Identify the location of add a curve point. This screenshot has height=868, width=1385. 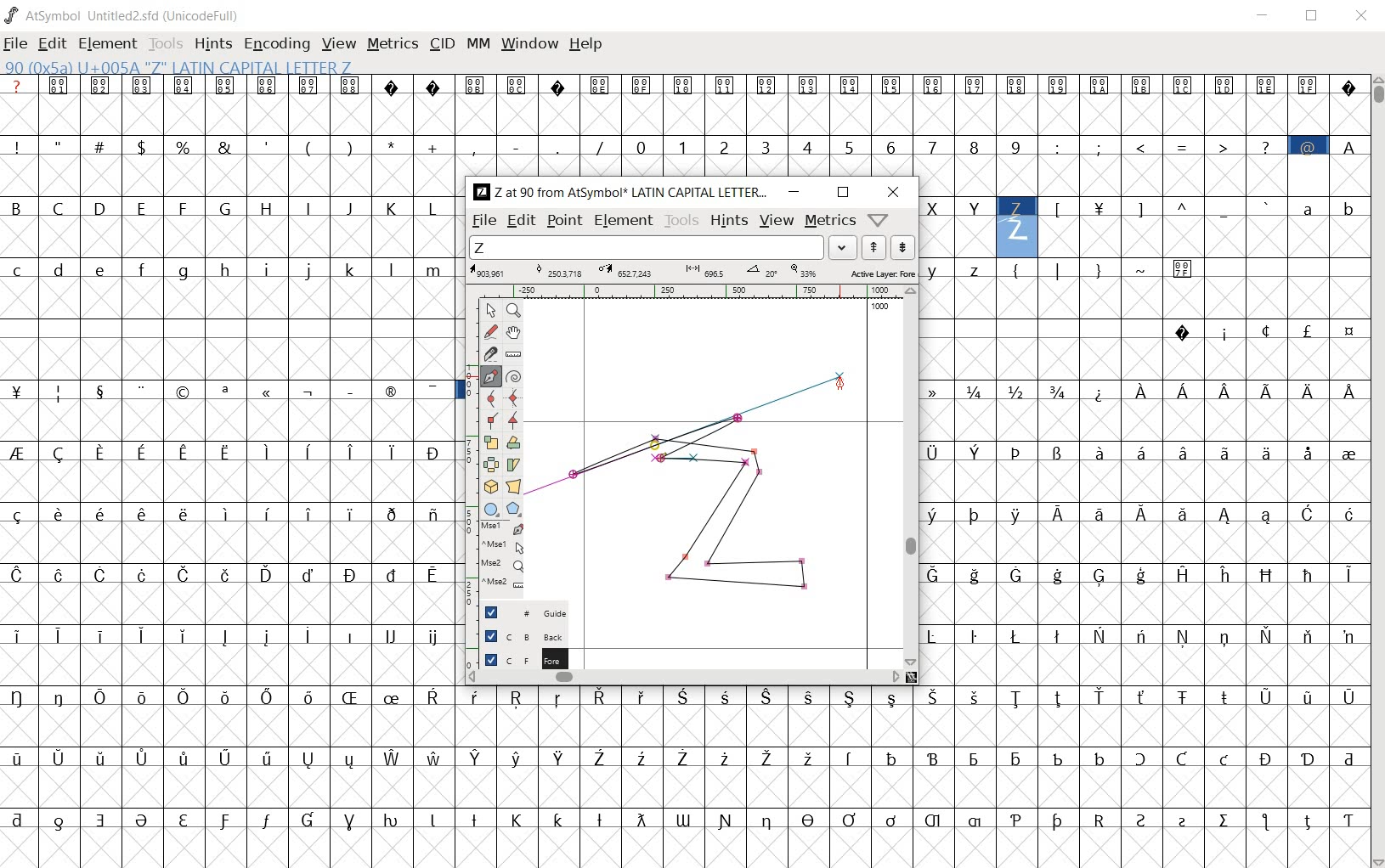
(489, 398).